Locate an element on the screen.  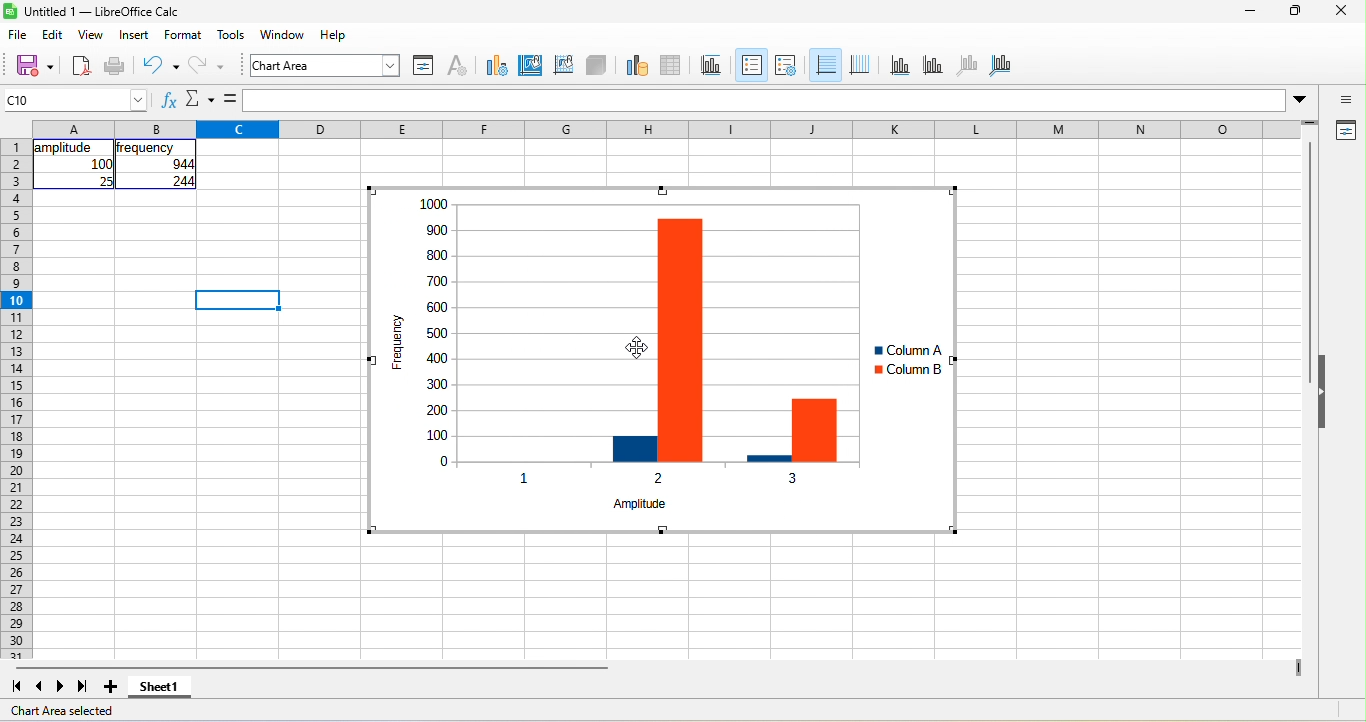
data table is located at coordinates (672, 66).